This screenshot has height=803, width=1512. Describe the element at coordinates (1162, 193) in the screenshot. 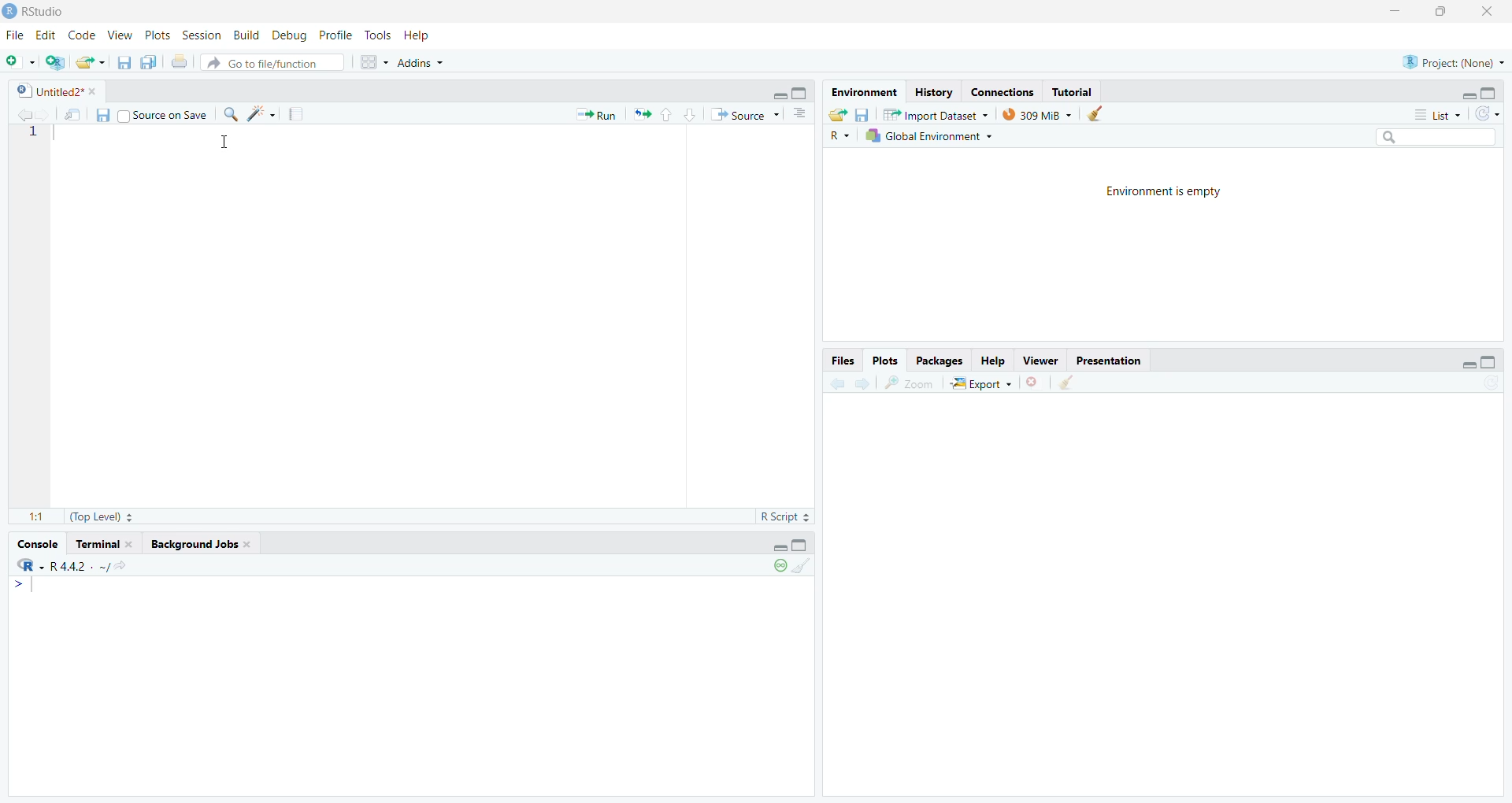

I see `Environment is empty` at that location.